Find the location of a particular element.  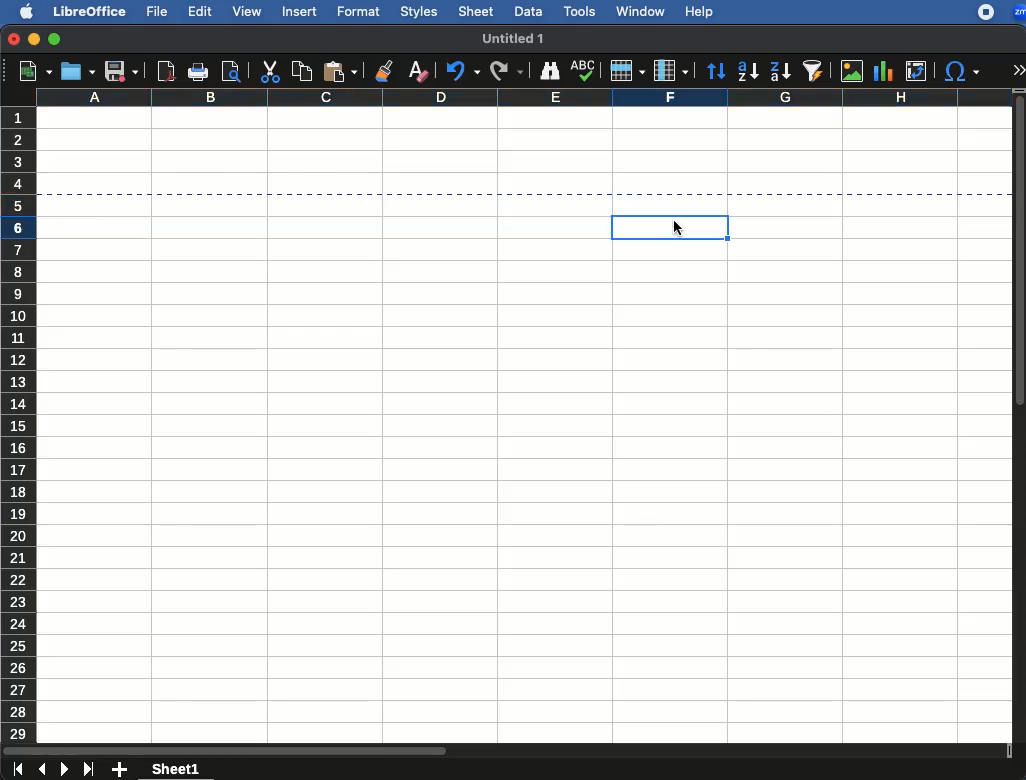

cell selected is located at coordinates (638, 225).